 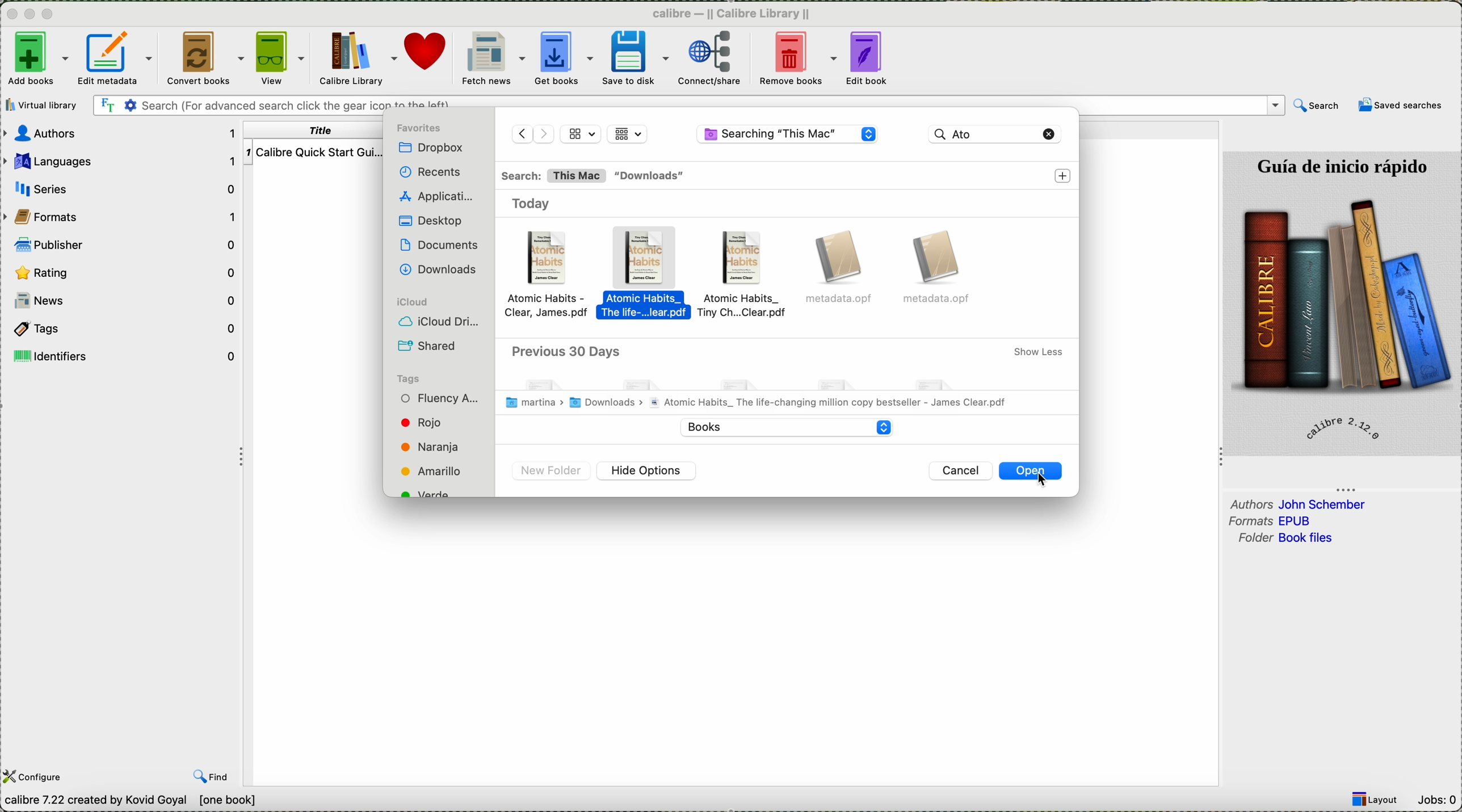 What do you see at coordinates (1299, 504) in the screenshot?
I see `authors` at bounding box center [1299, 504].